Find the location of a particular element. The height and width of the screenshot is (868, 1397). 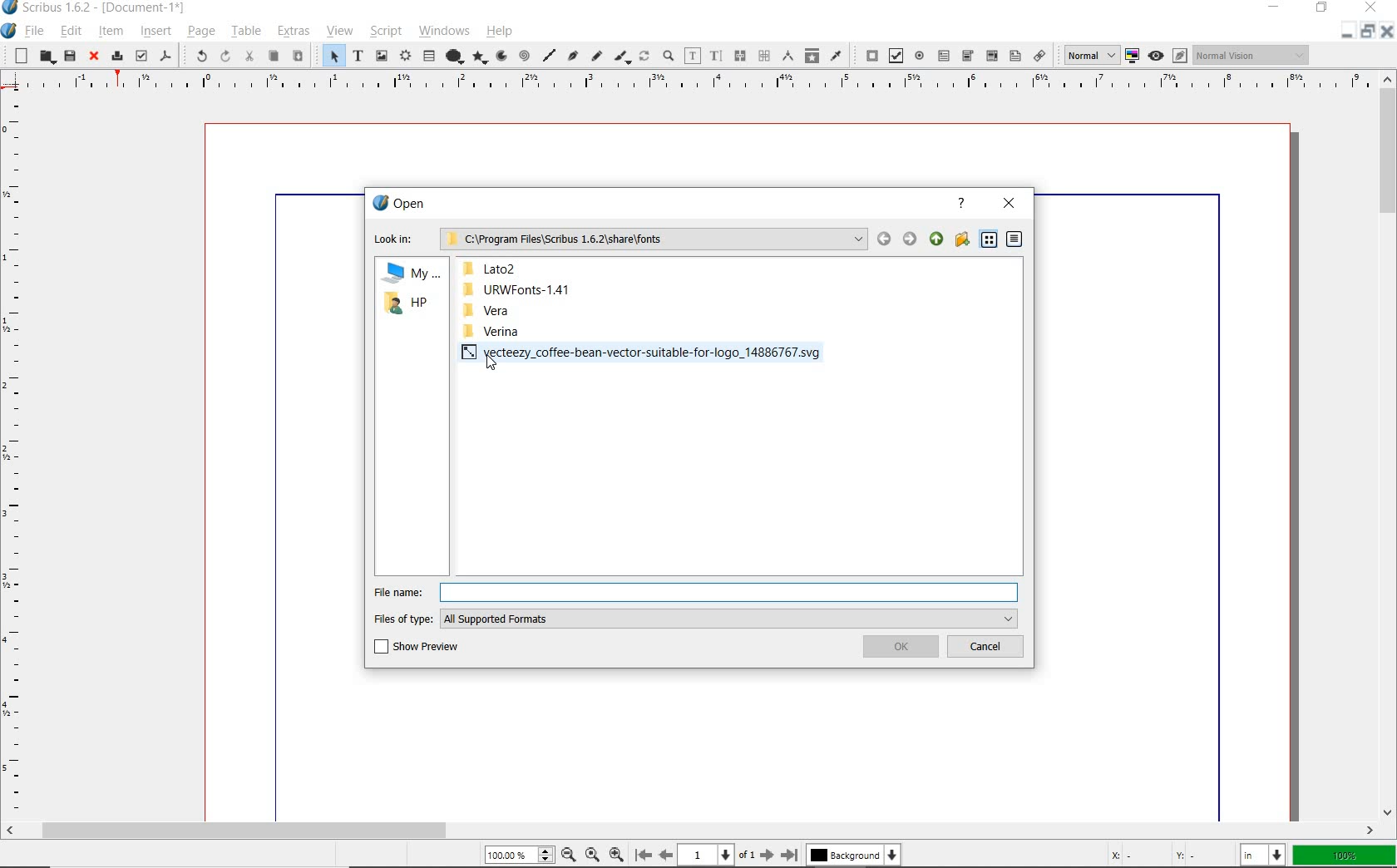

calligraphic line is located at coordinates (624, 57).